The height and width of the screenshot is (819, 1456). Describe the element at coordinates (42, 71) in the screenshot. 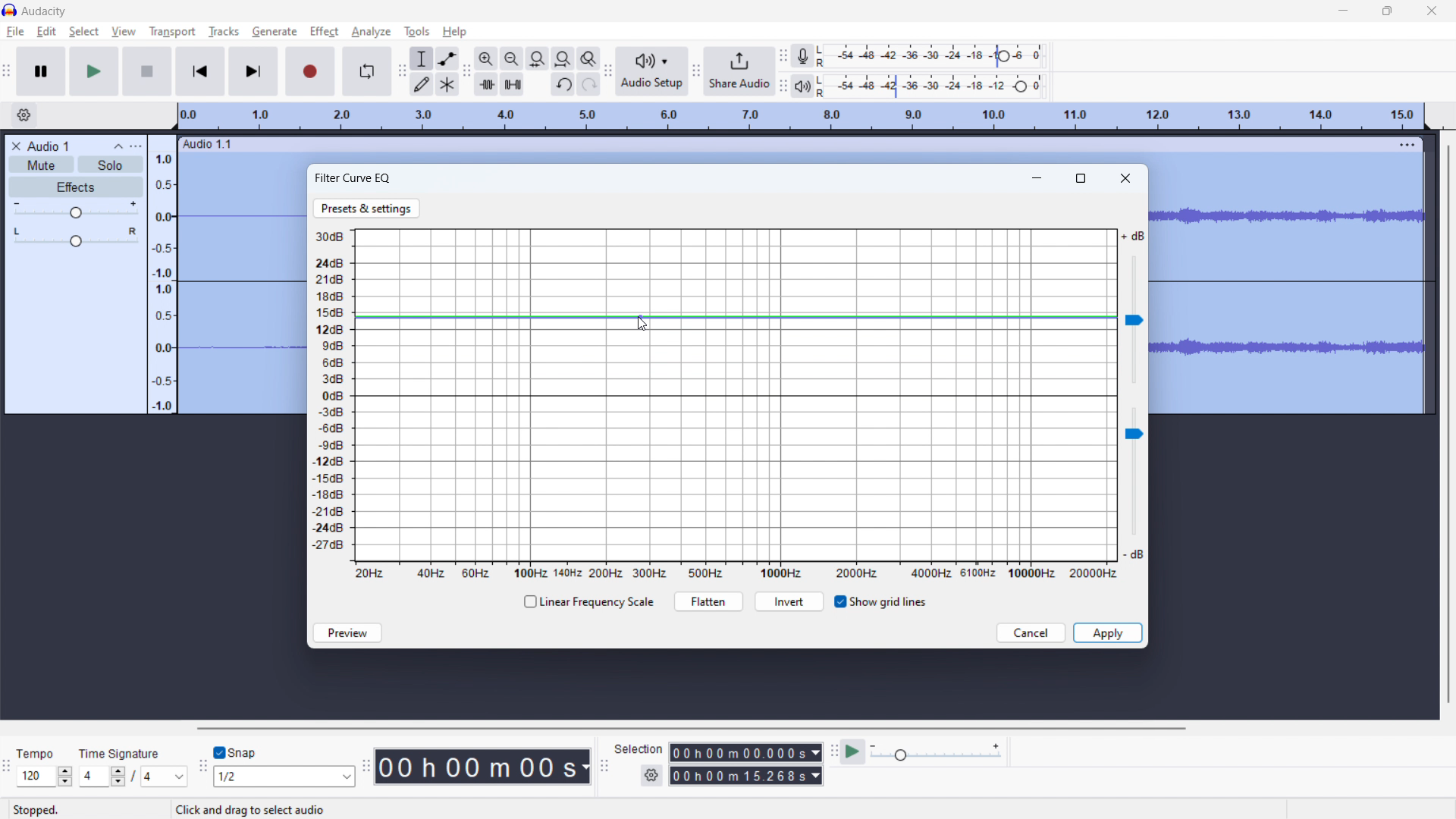

I see `pause` at that location.